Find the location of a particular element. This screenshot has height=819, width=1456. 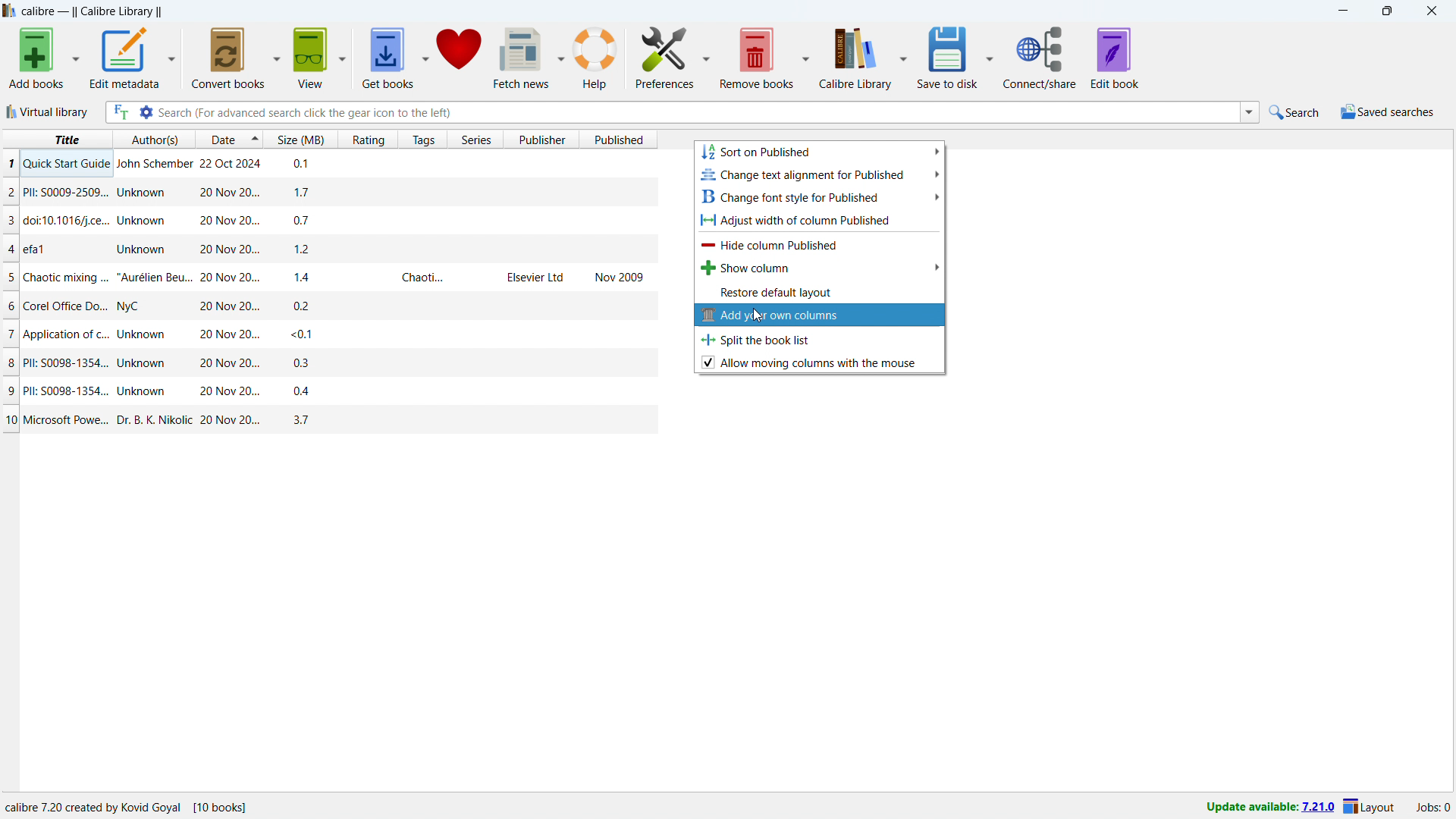

logo is located at coordinates (10, 11).